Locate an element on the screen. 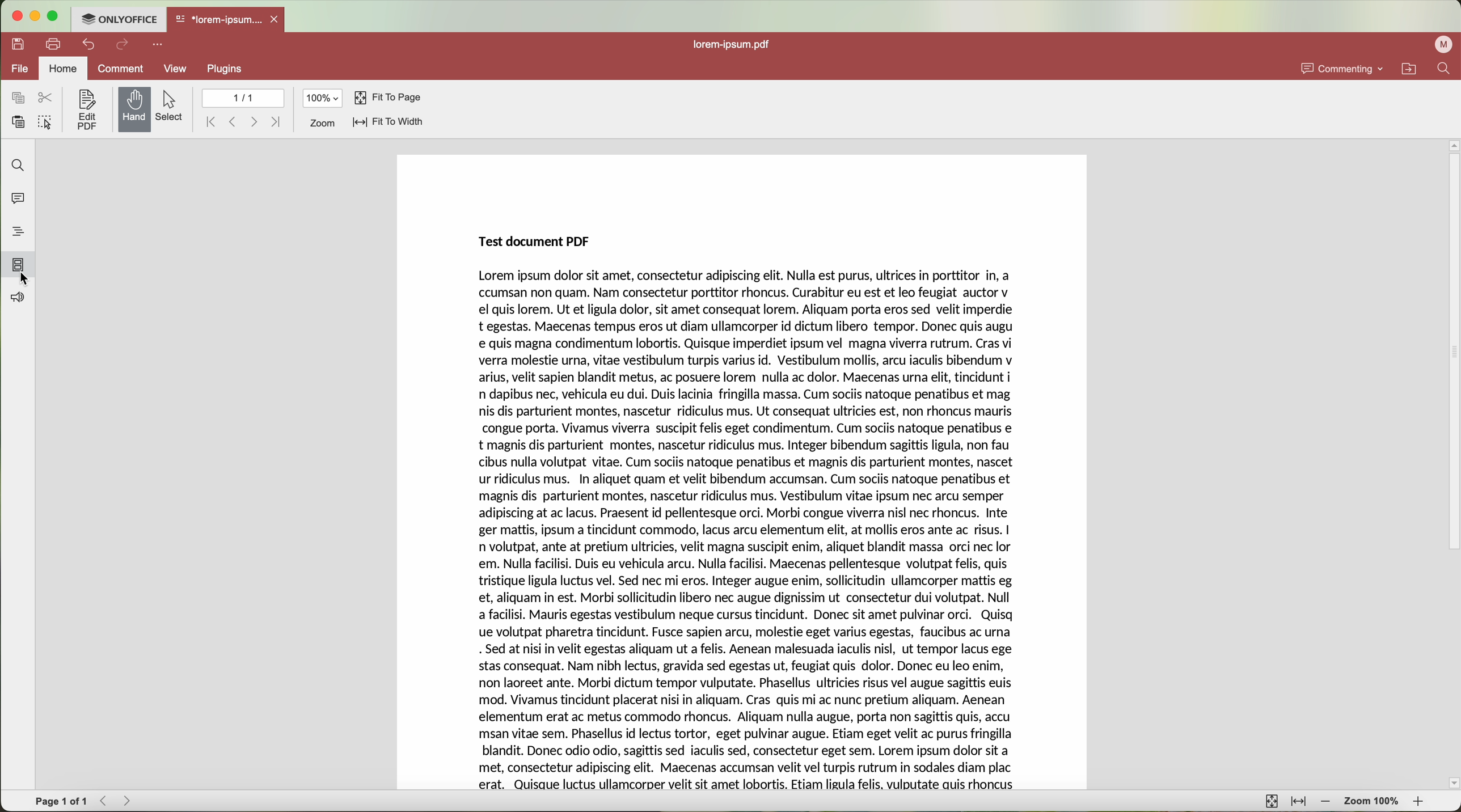  zoom out is located at coordinates (1326, 803).